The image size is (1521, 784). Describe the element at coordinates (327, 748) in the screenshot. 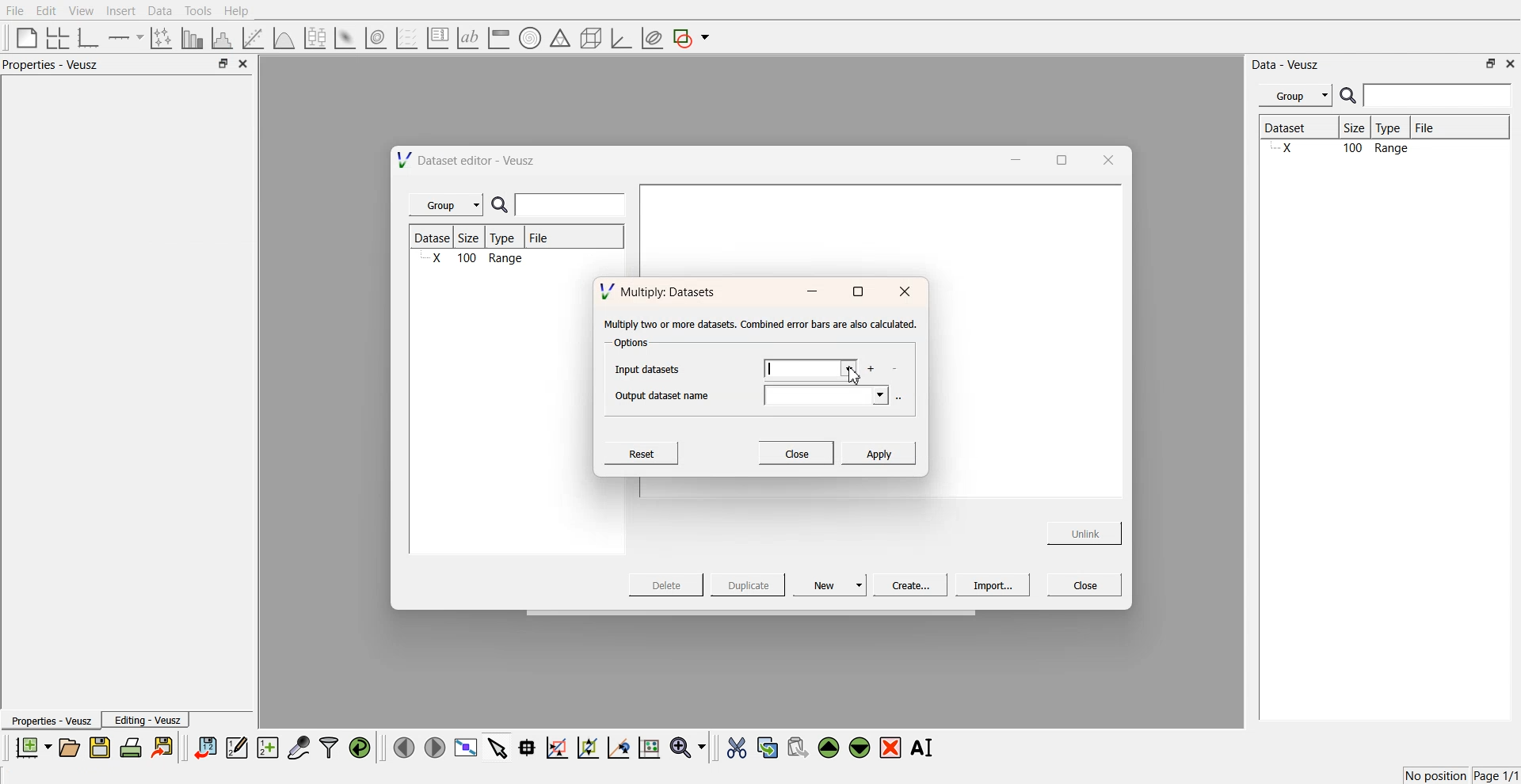

I see `filters` at that location.